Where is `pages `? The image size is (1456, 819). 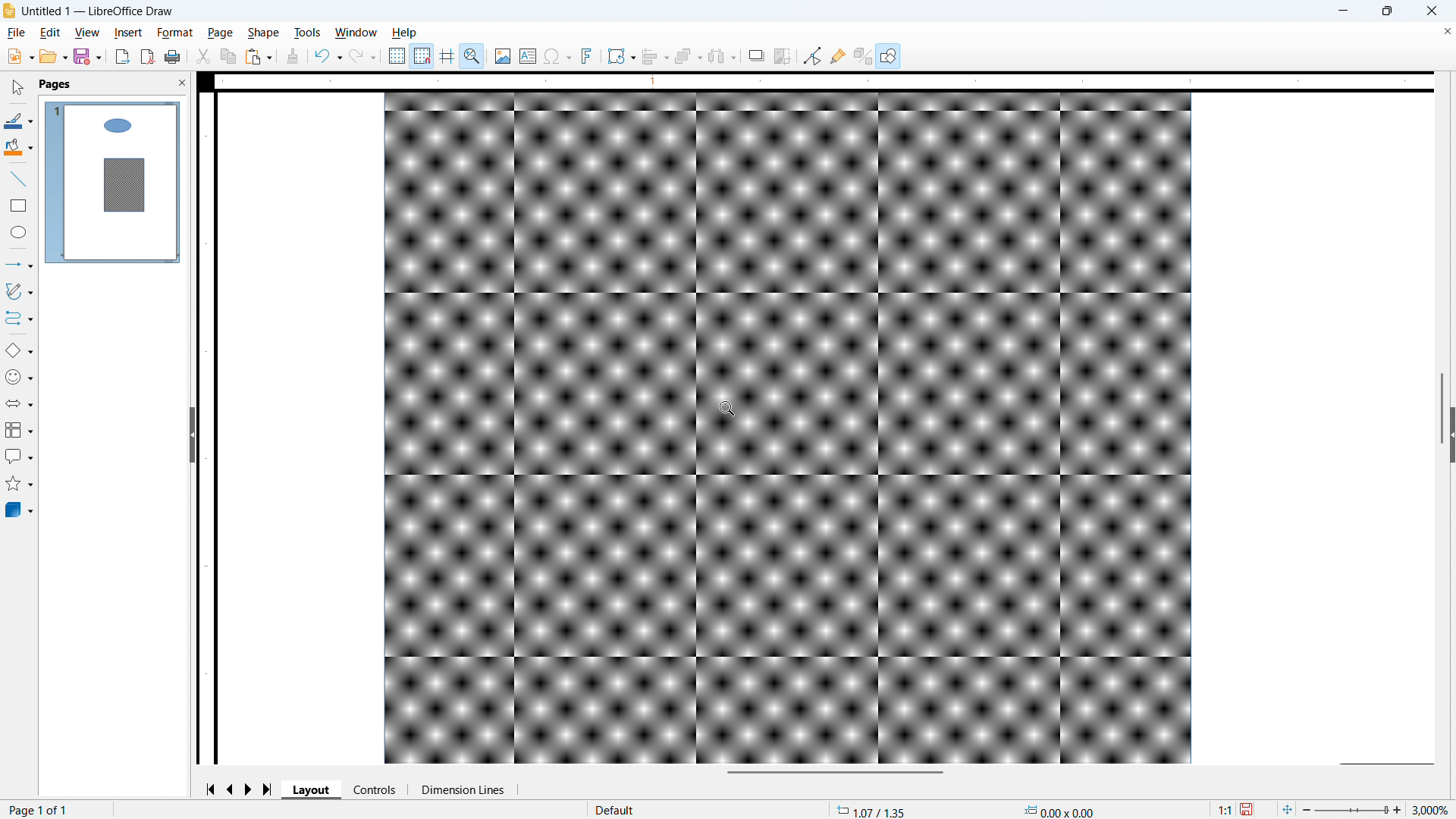
pages  is located at coordinates (56, 85).